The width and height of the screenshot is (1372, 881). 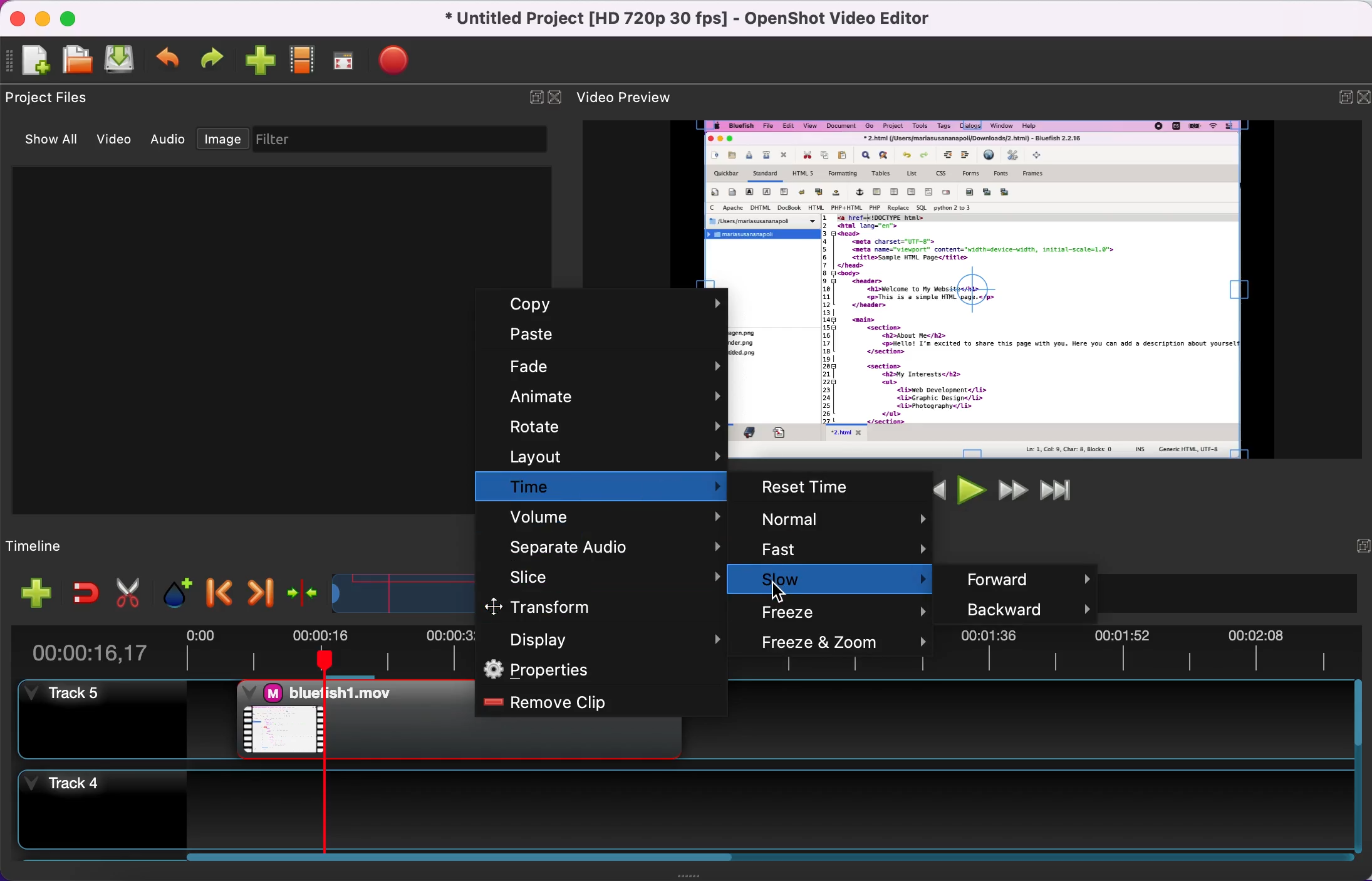 What do you see at coordinates (530, 97) in the screenshot?
I see `expand/hide` at bounding box center [530, 97].